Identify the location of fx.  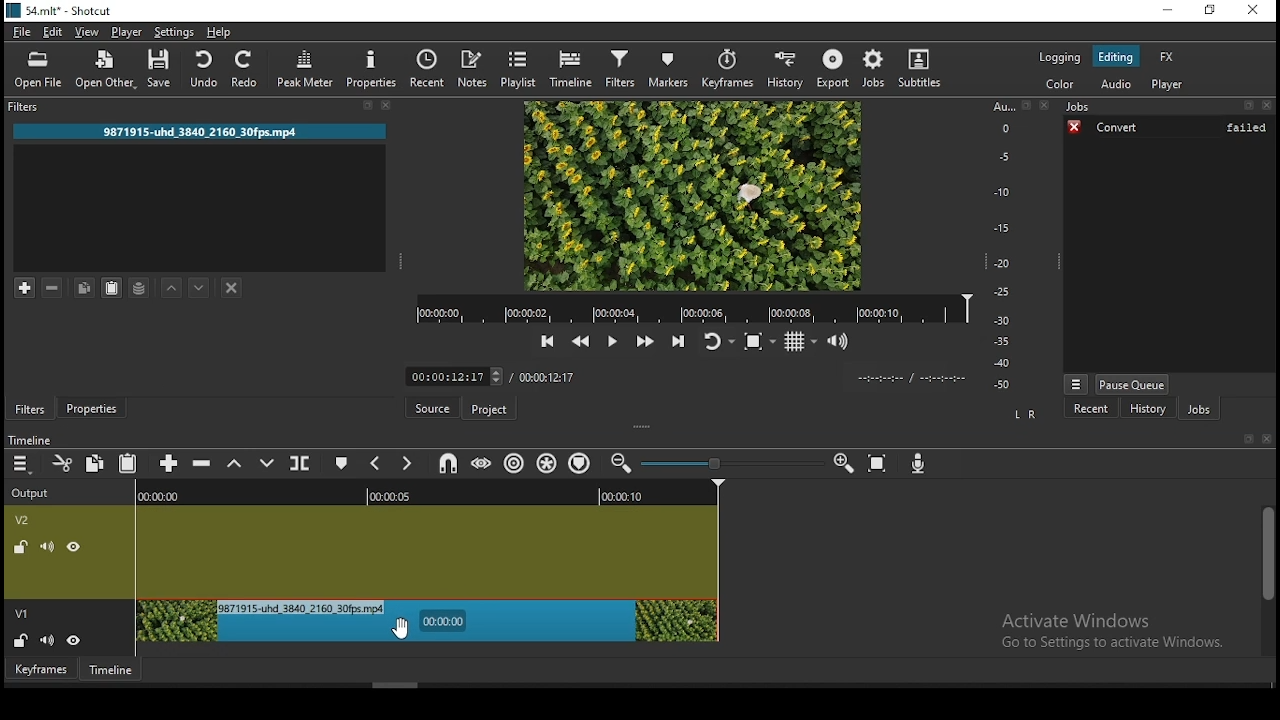
(1167, 56).